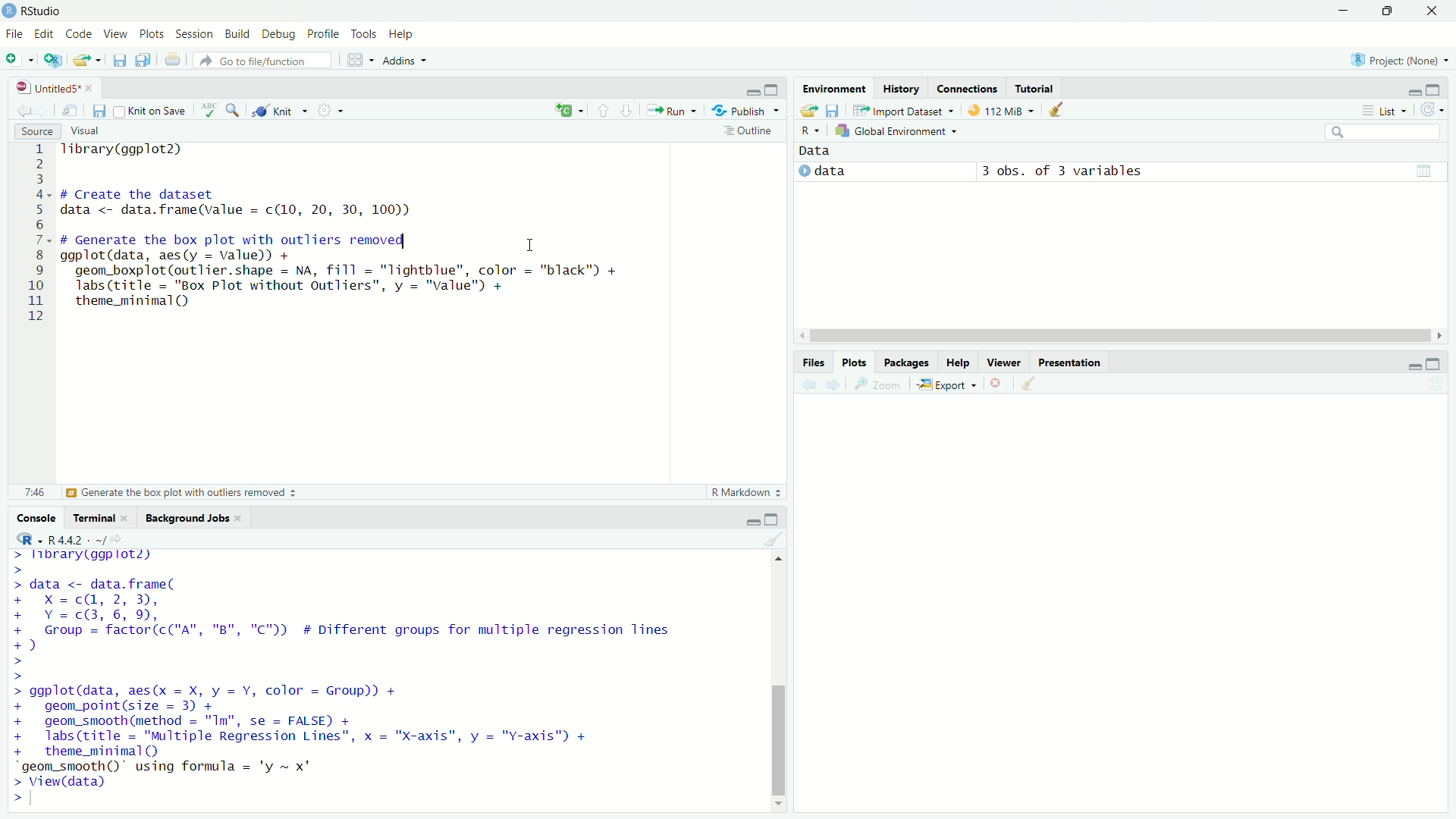 The width and height of the screenshot is (1456, 819). What do you see at coordinates (807, 128) in the screenshot?
I see `R` at bounding box center [807, 128].